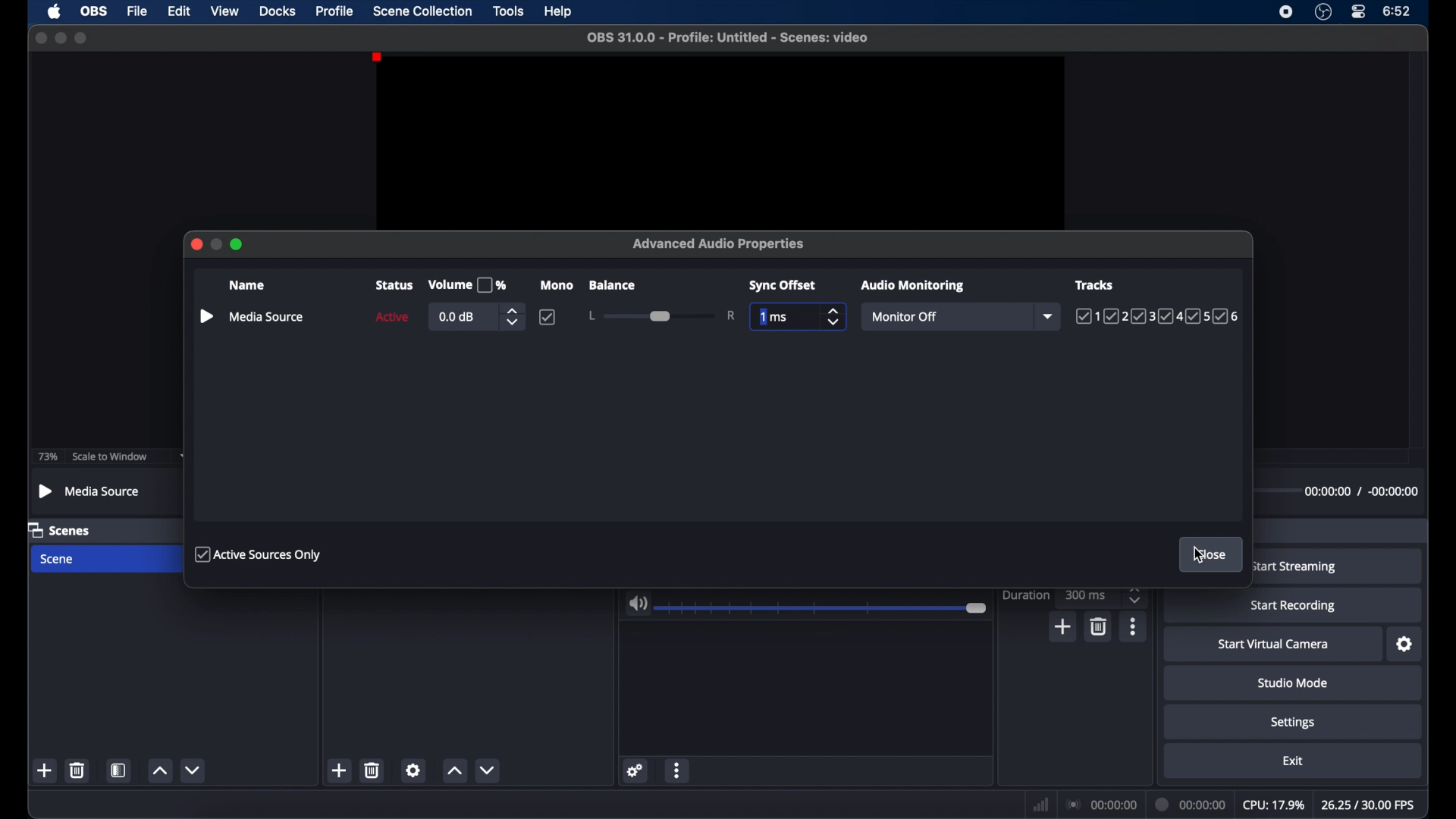 The height and width of the screenshot is (819, 1456). Describe the element at coordinates (775, 318) in the screenshot. I see `1 ms` at that location.